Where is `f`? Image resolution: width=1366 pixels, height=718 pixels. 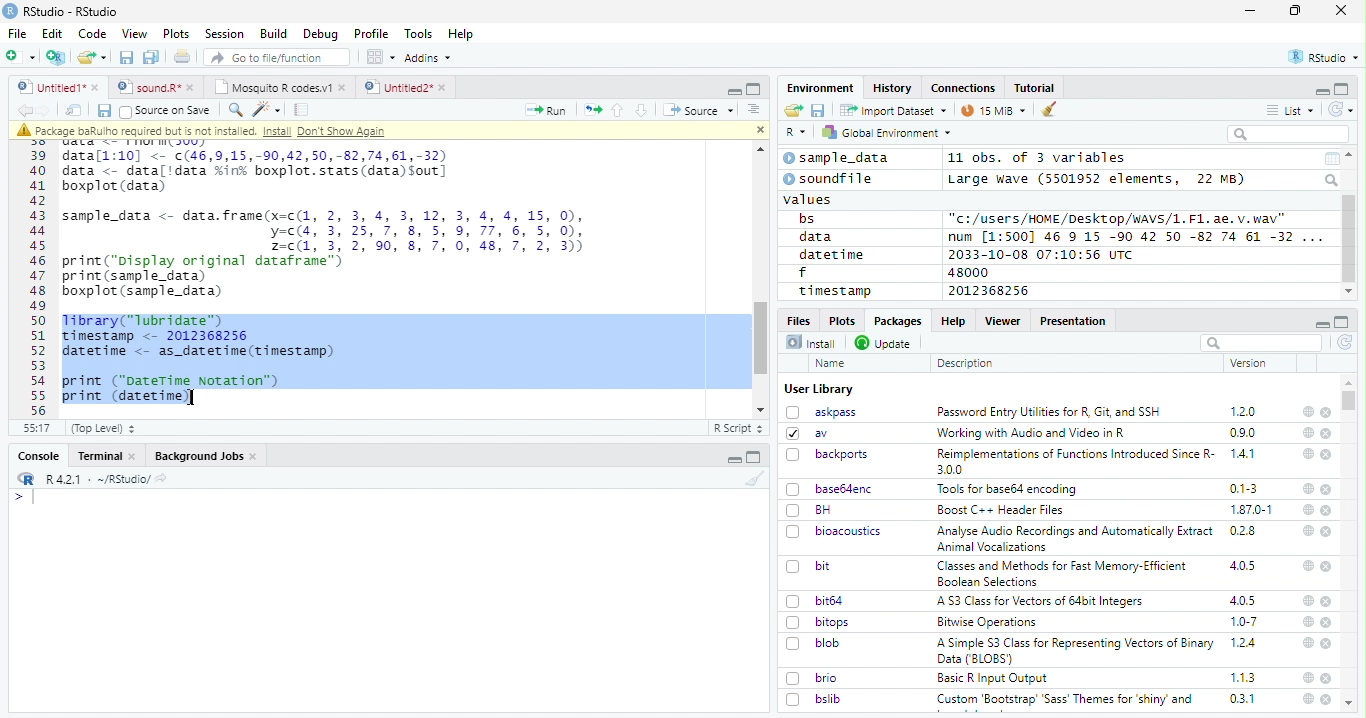
f is located at coordinates (803, 273).